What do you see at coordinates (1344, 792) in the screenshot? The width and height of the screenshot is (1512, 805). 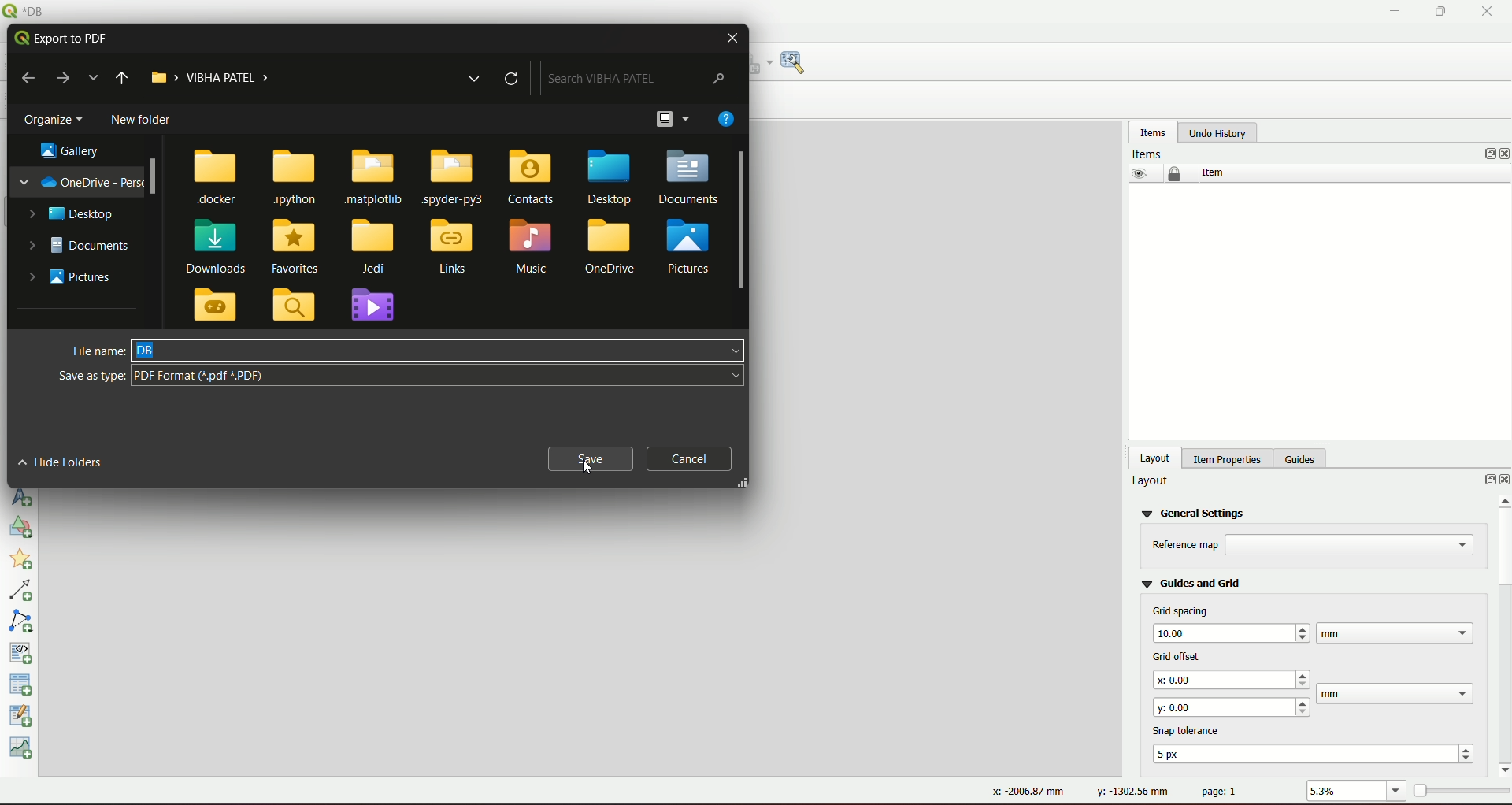 I see `value` at bounding box center [1344, 792].